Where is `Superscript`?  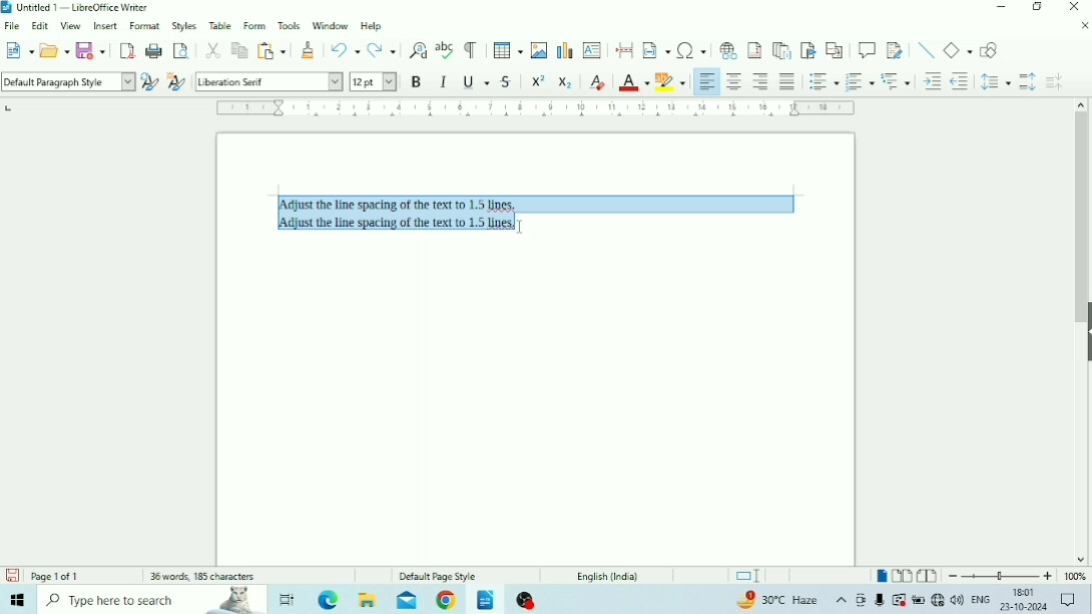
Superscript is located at coordinates (538, 81).